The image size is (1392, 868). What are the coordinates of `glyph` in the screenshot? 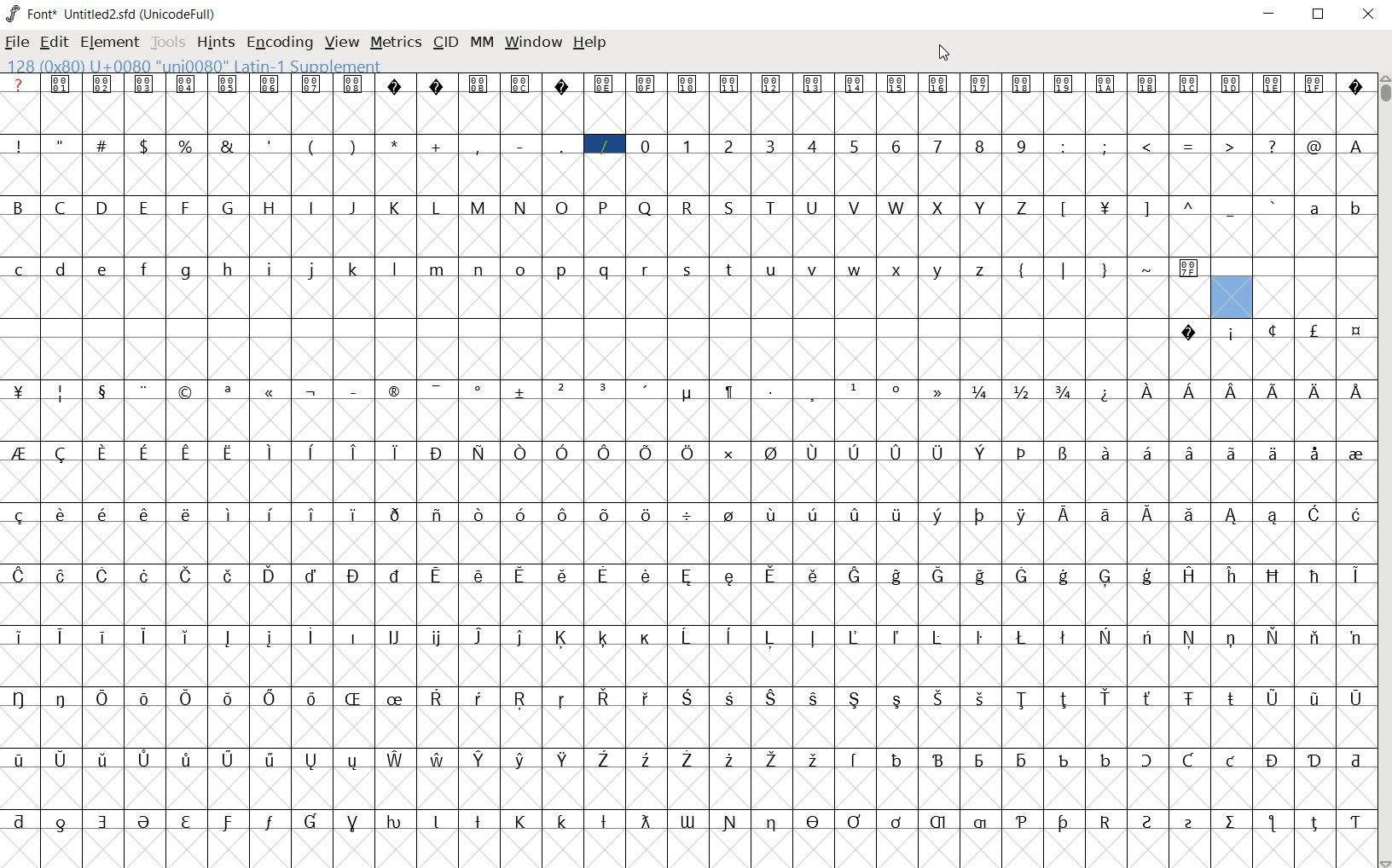 It's located at (352, 208).